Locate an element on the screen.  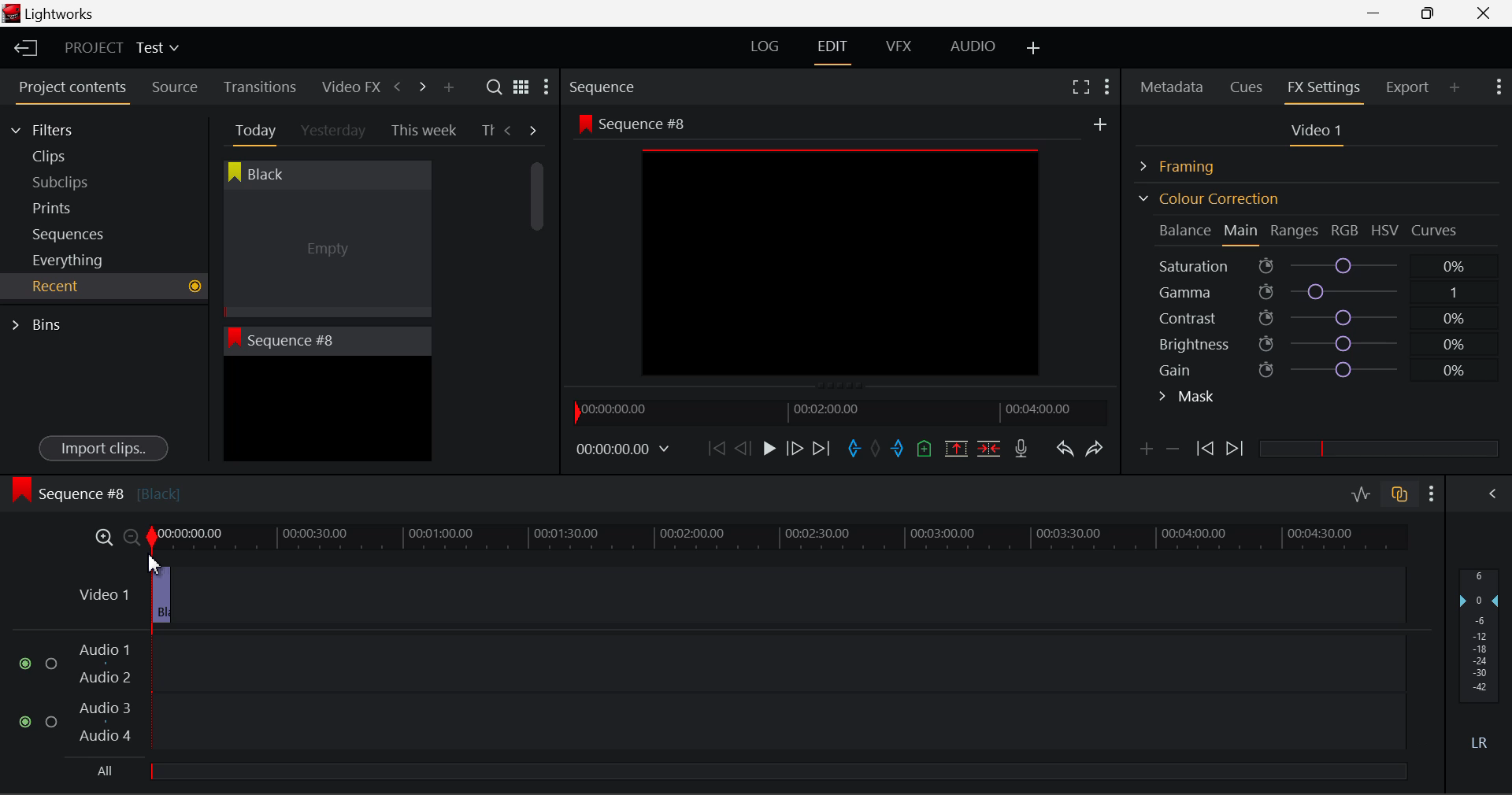
Add Layout is located at coordinates (1034, 49).